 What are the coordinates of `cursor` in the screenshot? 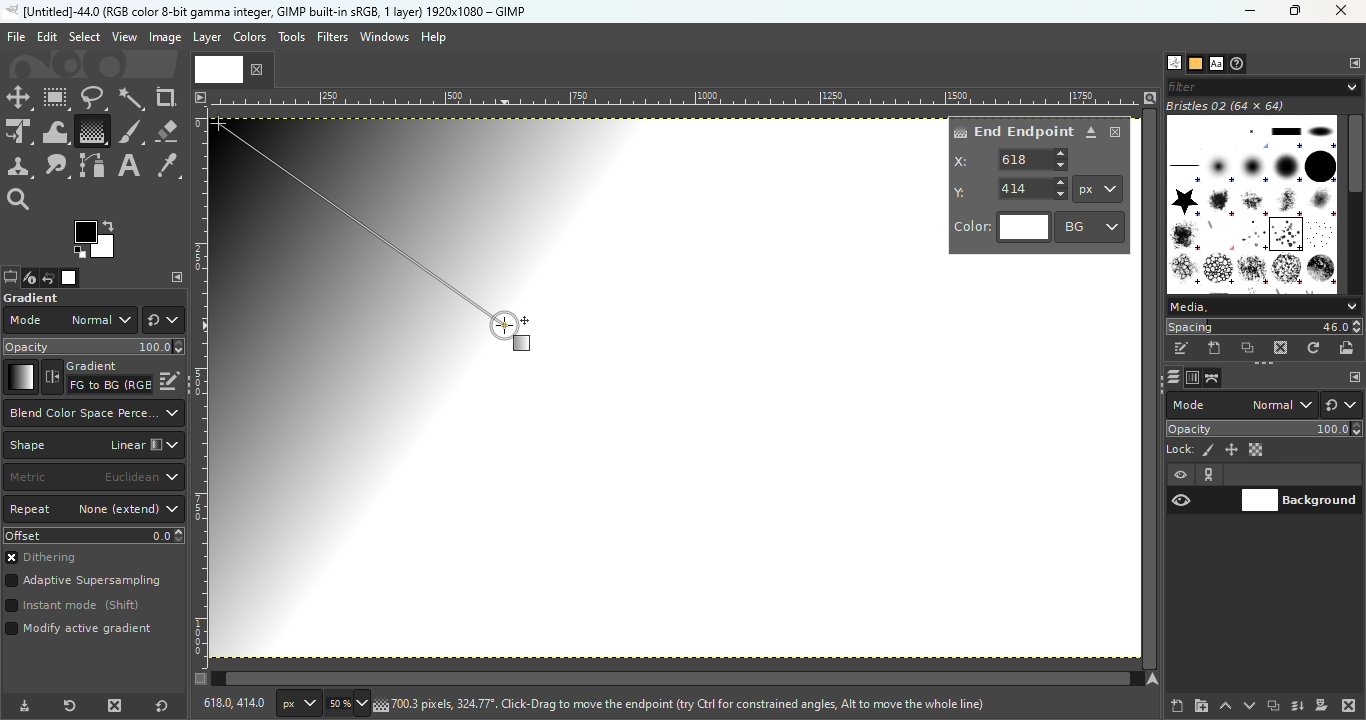 It's located at (510, 328).